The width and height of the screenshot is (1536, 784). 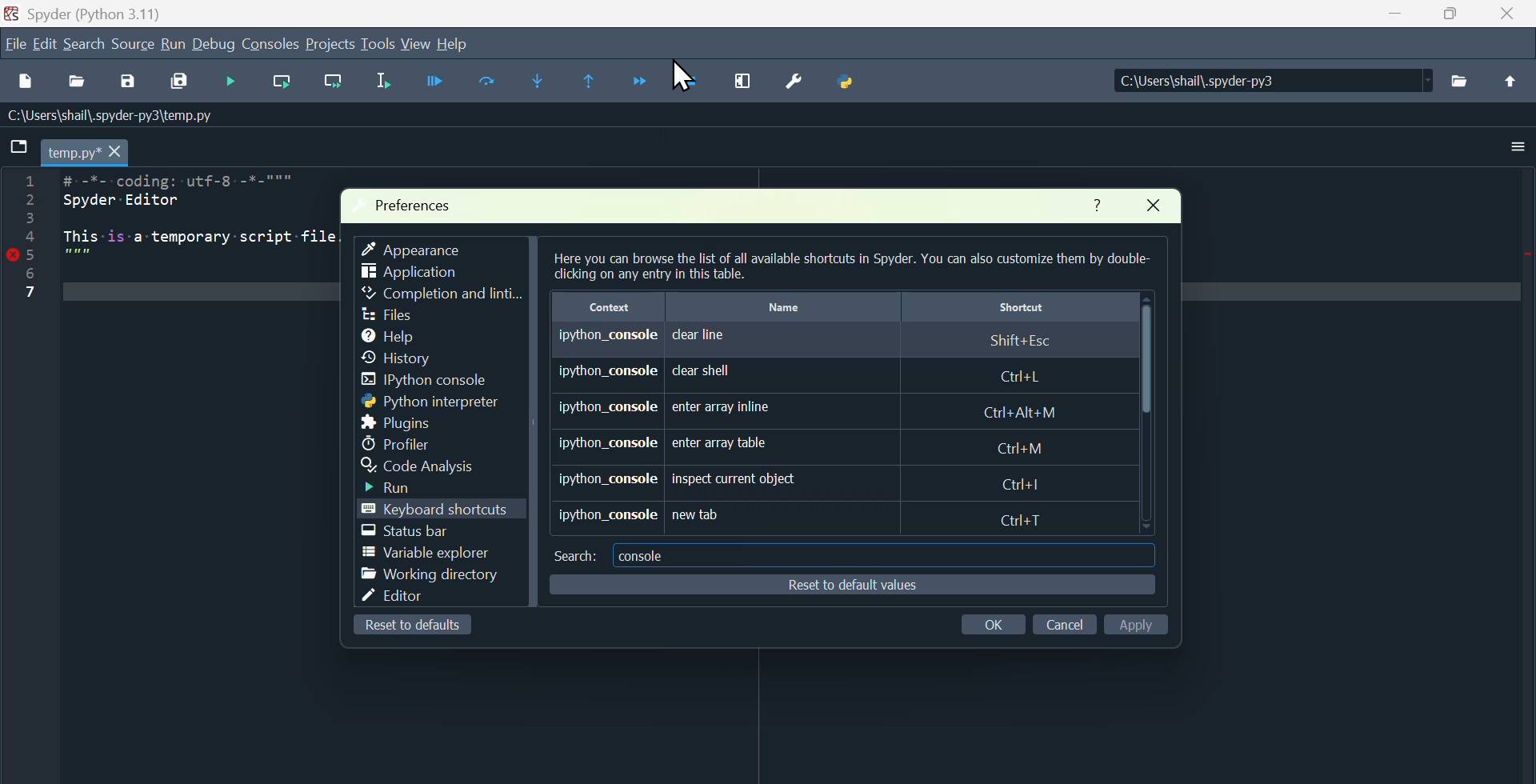 I want to click on Continue execution until same function returns, so click(x=597, y=80).